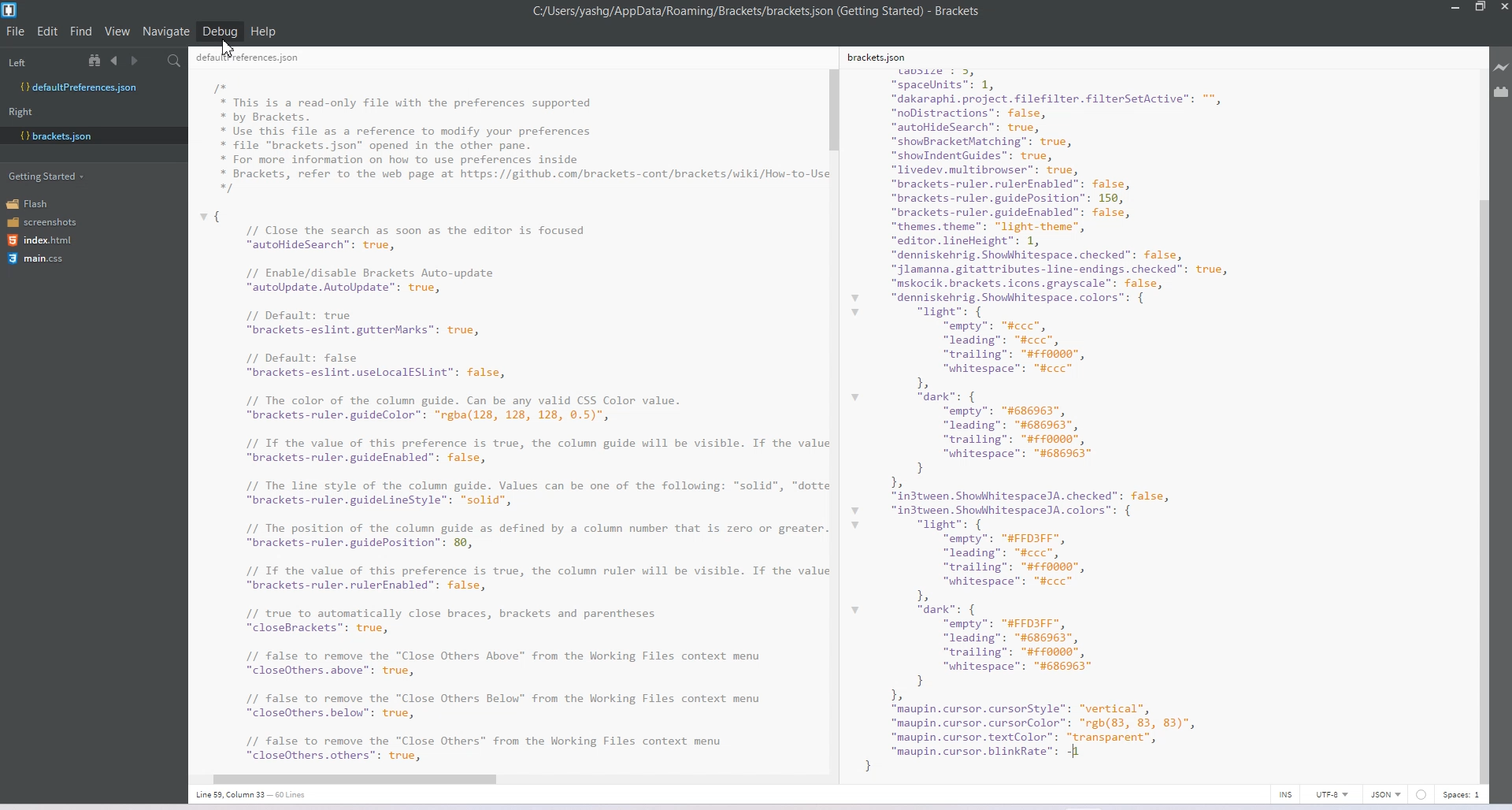 This screenshot has width=1512, height=810. I want to click on Find in Files, so click(176, 61).